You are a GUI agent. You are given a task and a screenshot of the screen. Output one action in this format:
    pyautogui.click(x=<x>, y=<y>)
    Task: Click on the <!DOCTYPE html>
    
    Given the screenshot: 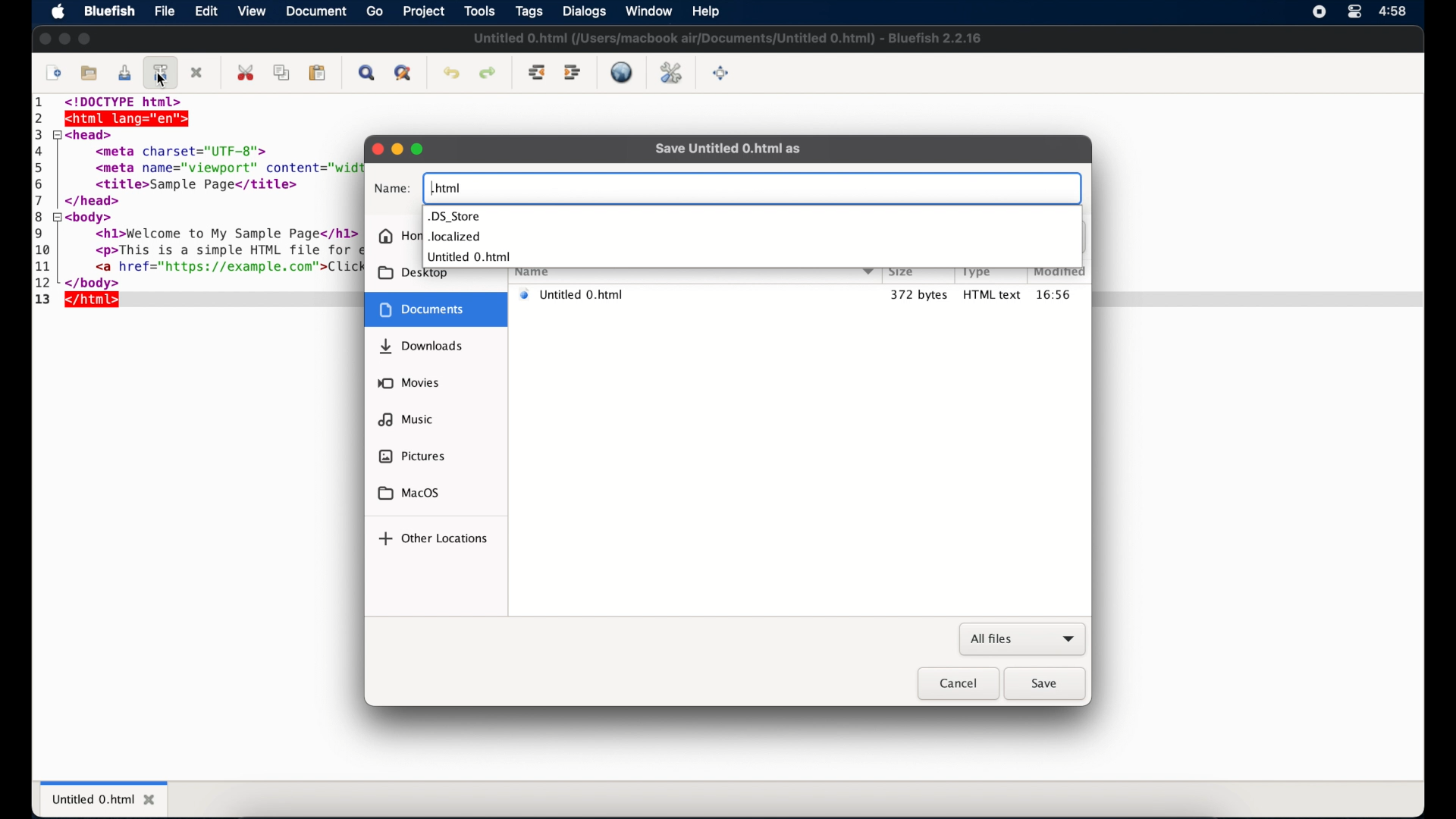 What is the action you would take?
    pyautogui.click(x=136, y=101)
    